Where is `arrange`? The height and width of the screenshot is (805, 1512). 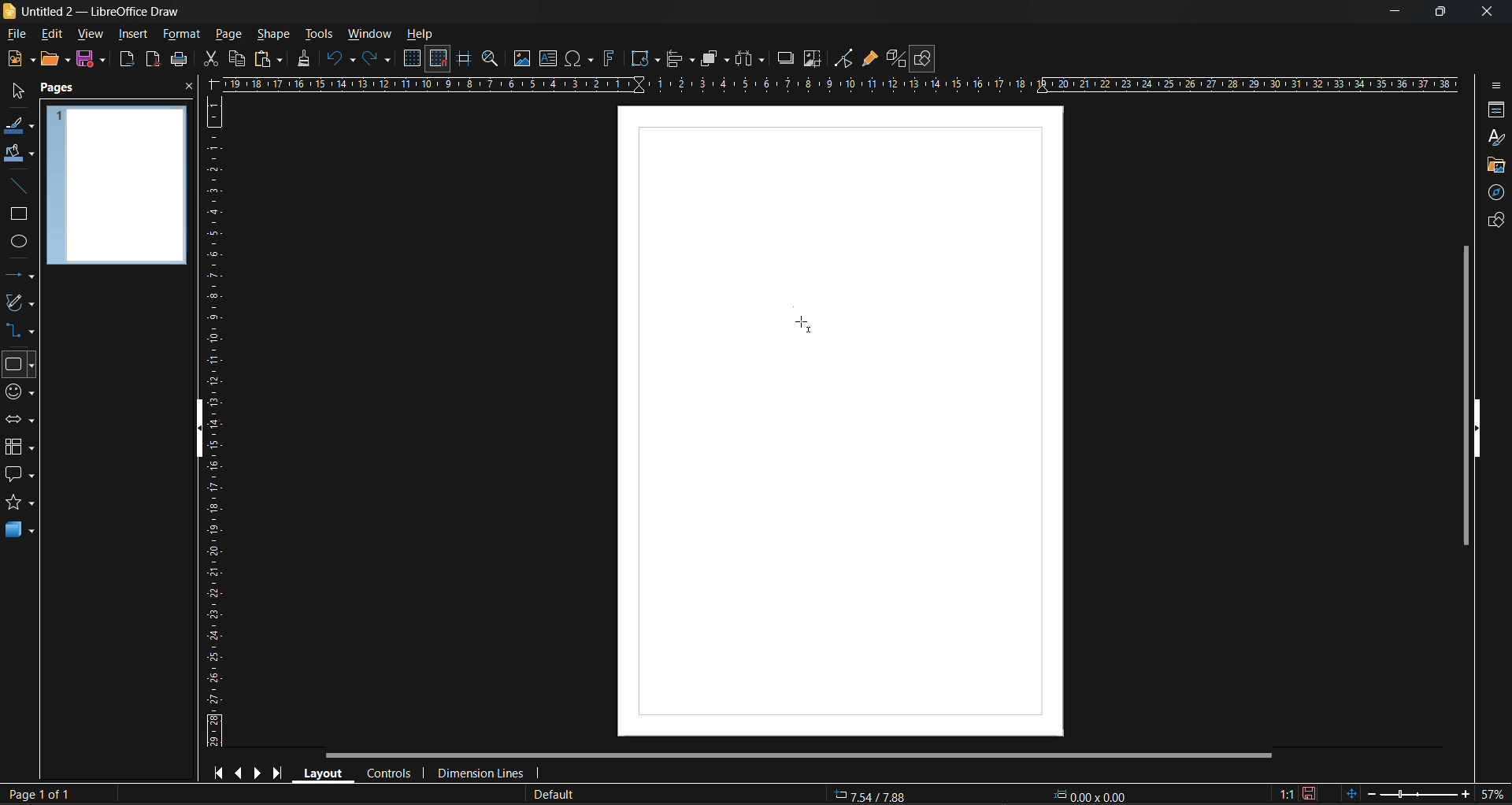
arrange is located at coordinates (715, 58).